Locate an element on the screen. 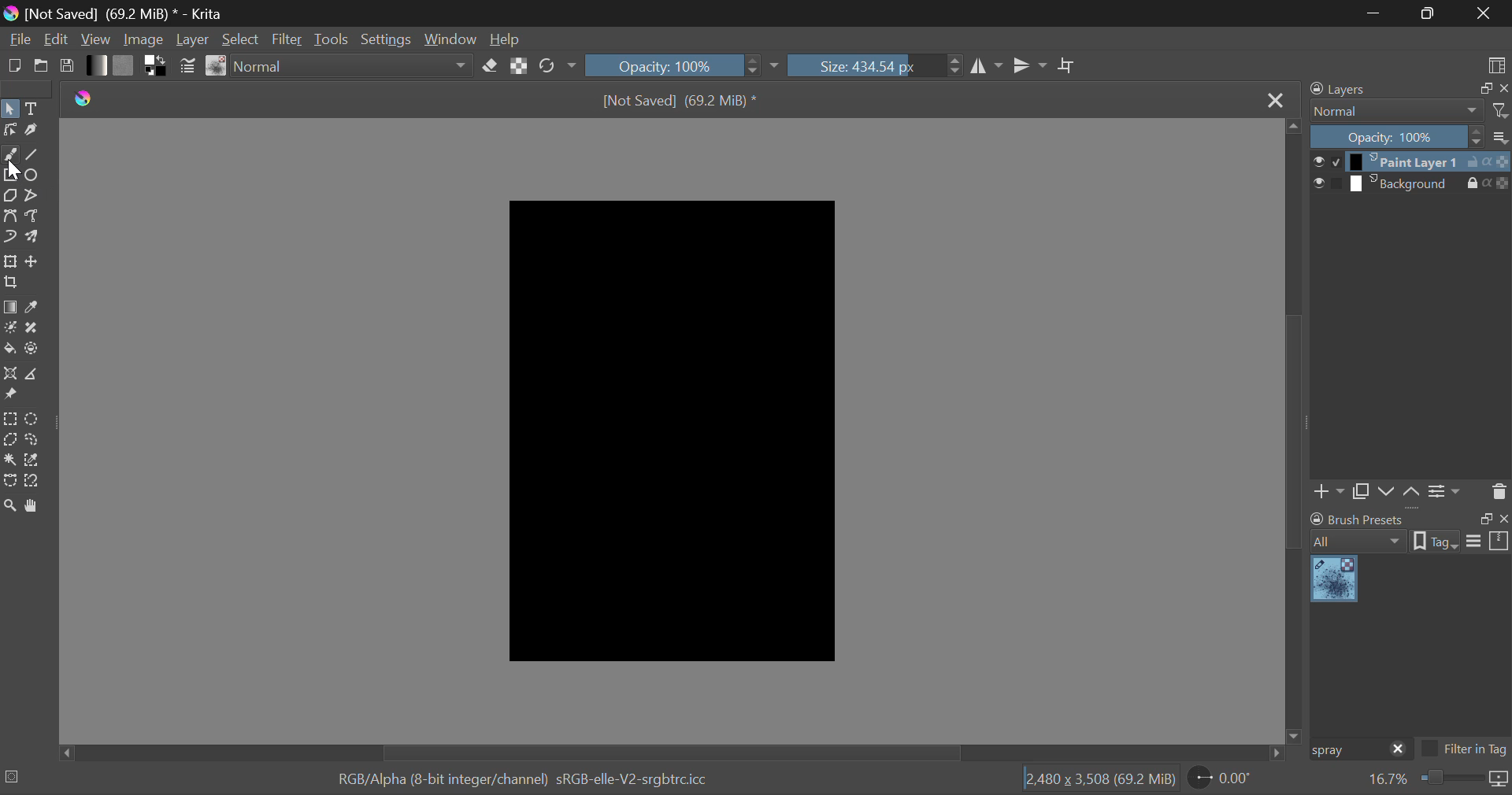 The height and width of the screenshot is (795, 1512). Close is located at coordinates (1484, 13).